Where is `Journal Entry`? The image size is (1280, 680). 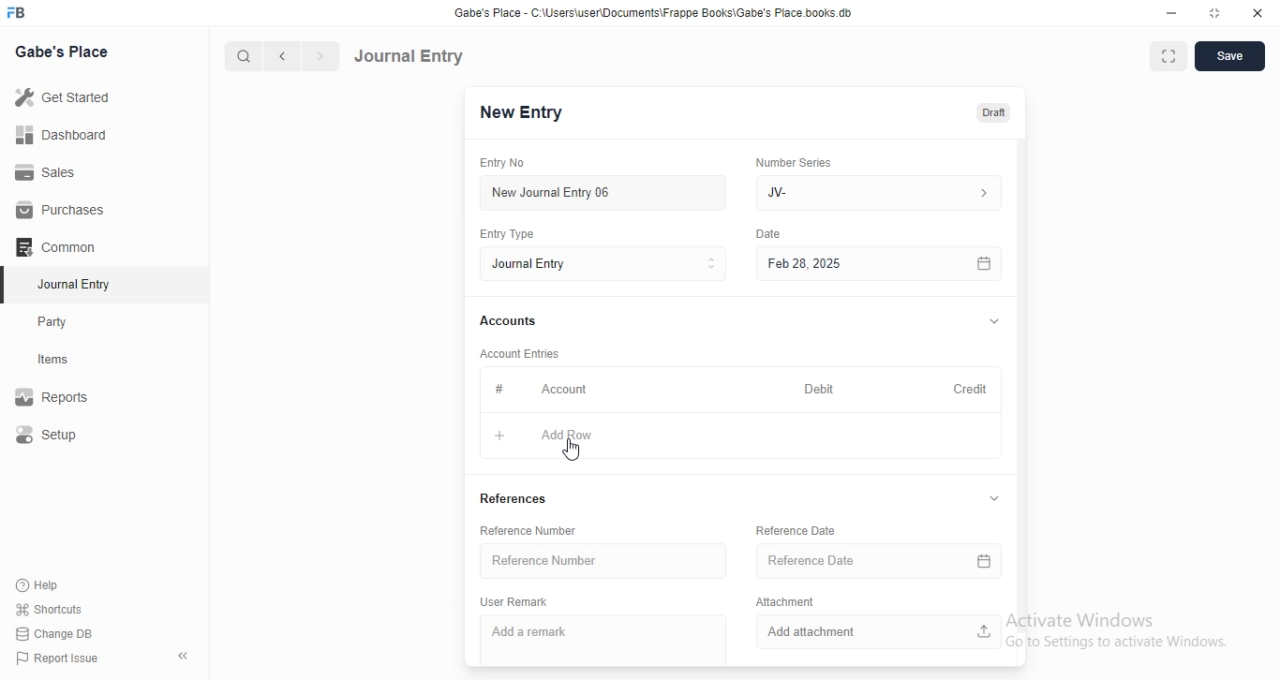 Journal Entry is located at coordinates (65, 286).